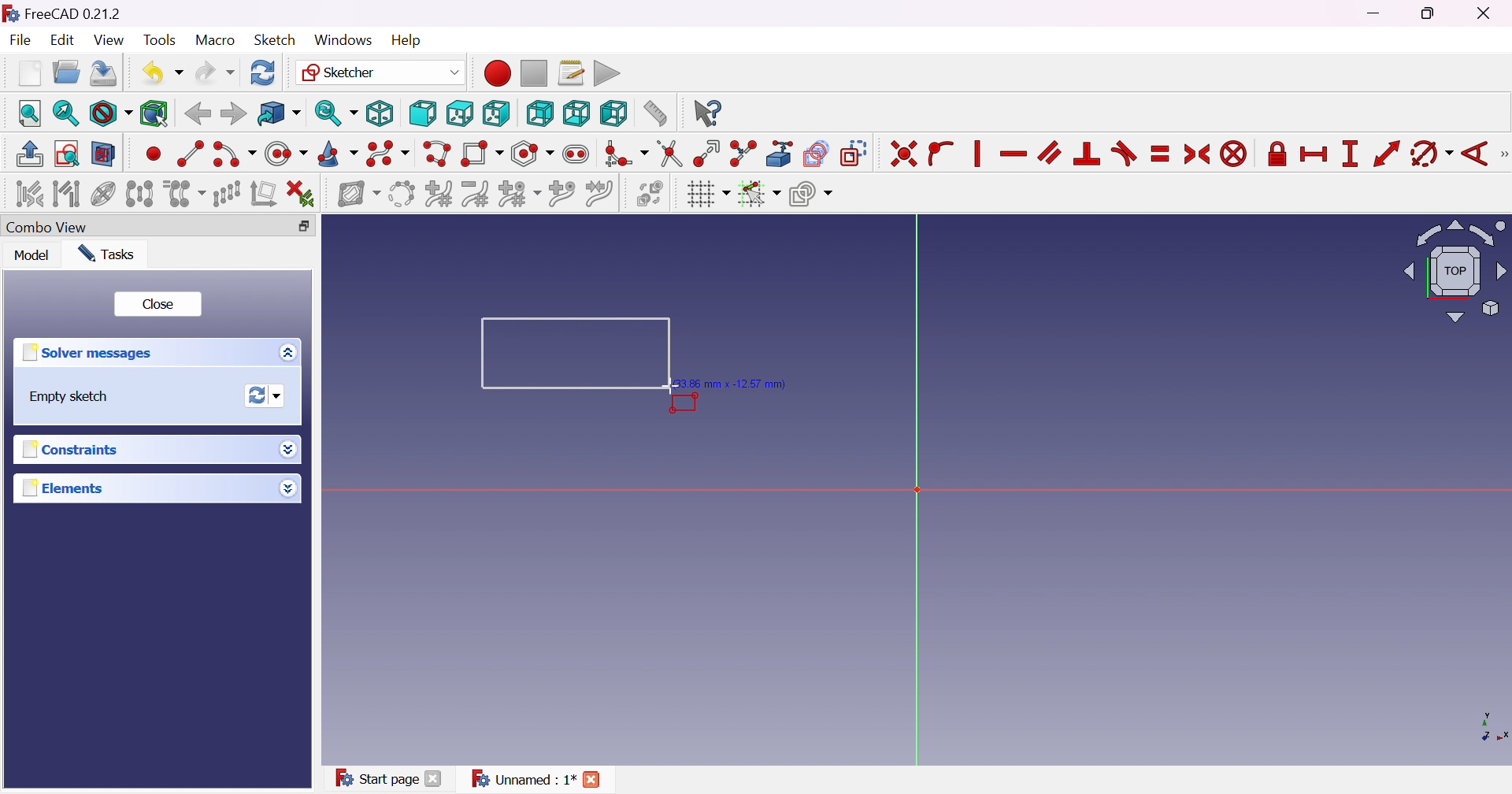 This screenshot has width=1512, height=794. Describe the element at coordinates (359, 195) in the screenshot. I see `Show/hide B-spline information layer` at that location.